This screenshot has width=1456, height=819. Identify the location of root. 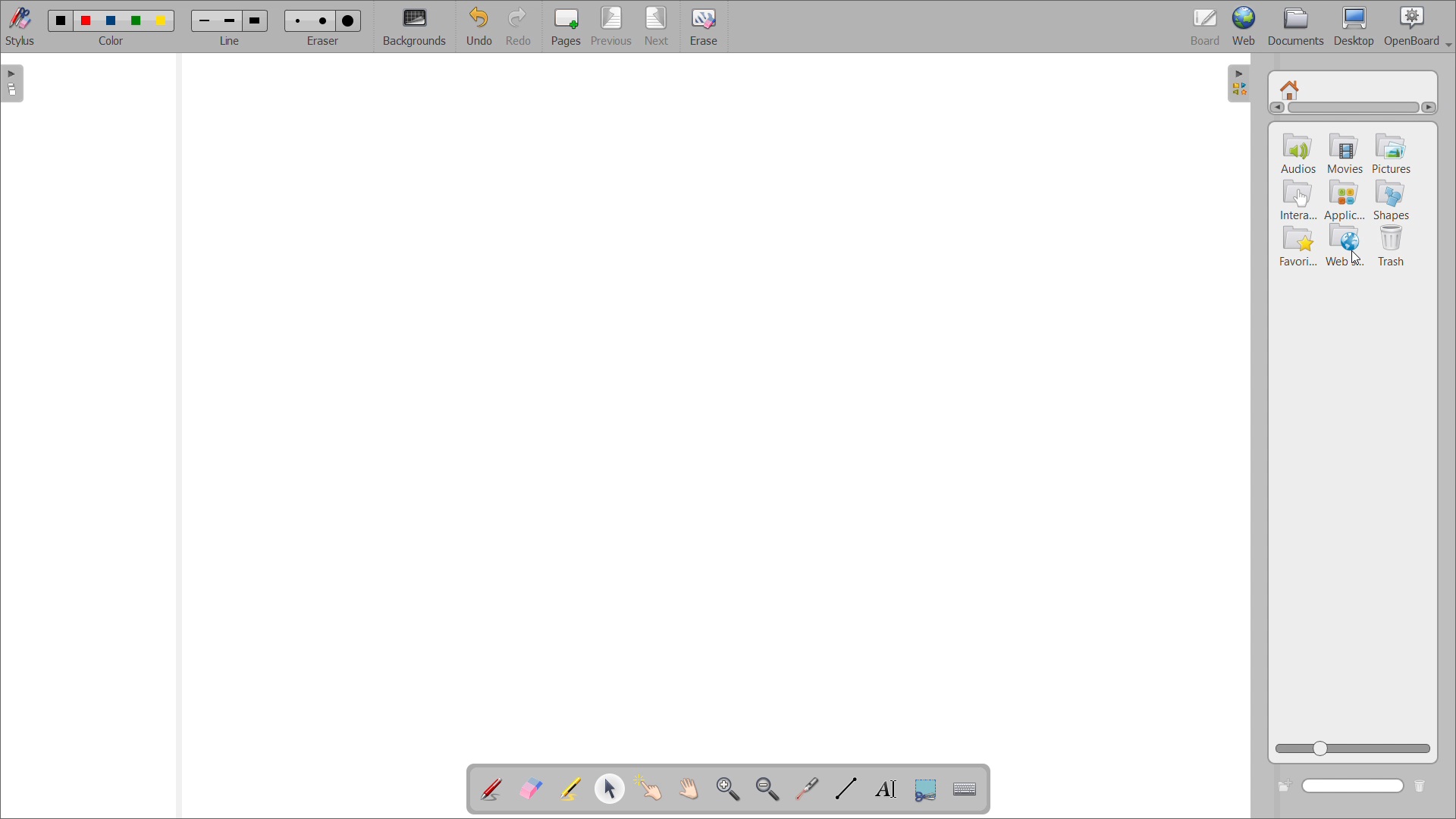
(1289, 89).